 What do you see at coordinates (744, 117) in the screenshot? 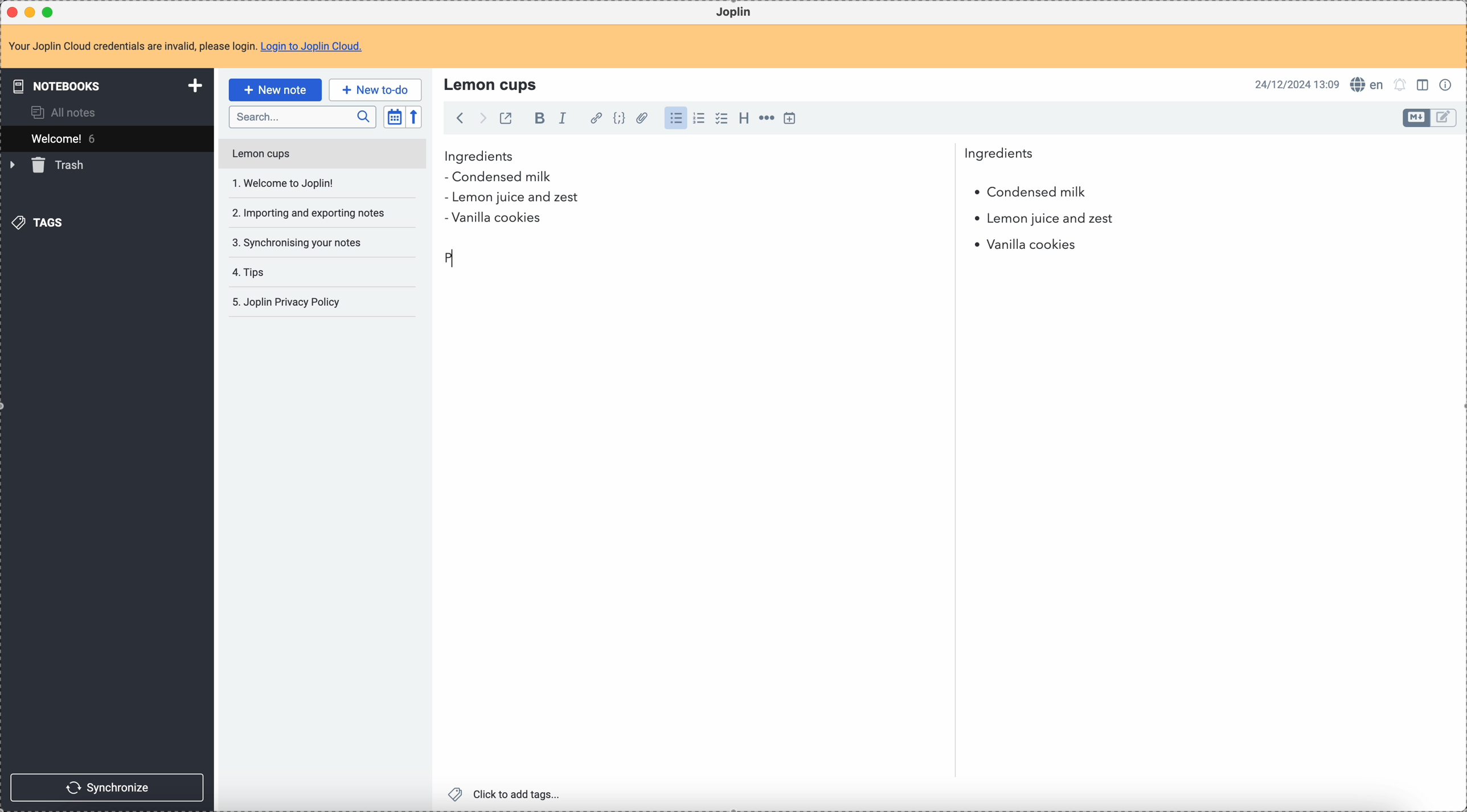
I see `heading` at bounding box center [744, 117].